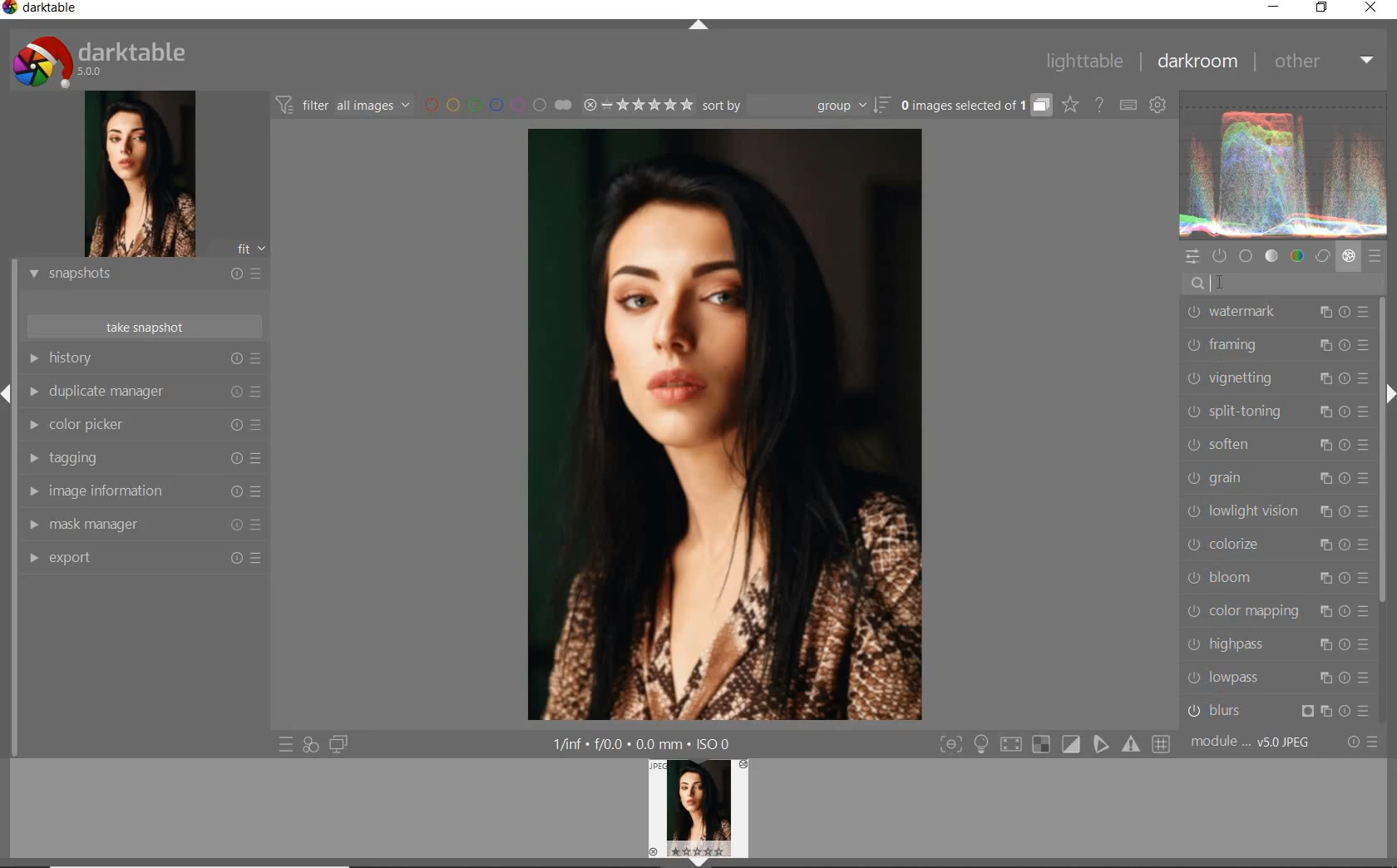 This screenshot has width=1397, height=868. Describe the element at coordinates (1276, 378) in the screenshot. I see `vignetting` at that location.